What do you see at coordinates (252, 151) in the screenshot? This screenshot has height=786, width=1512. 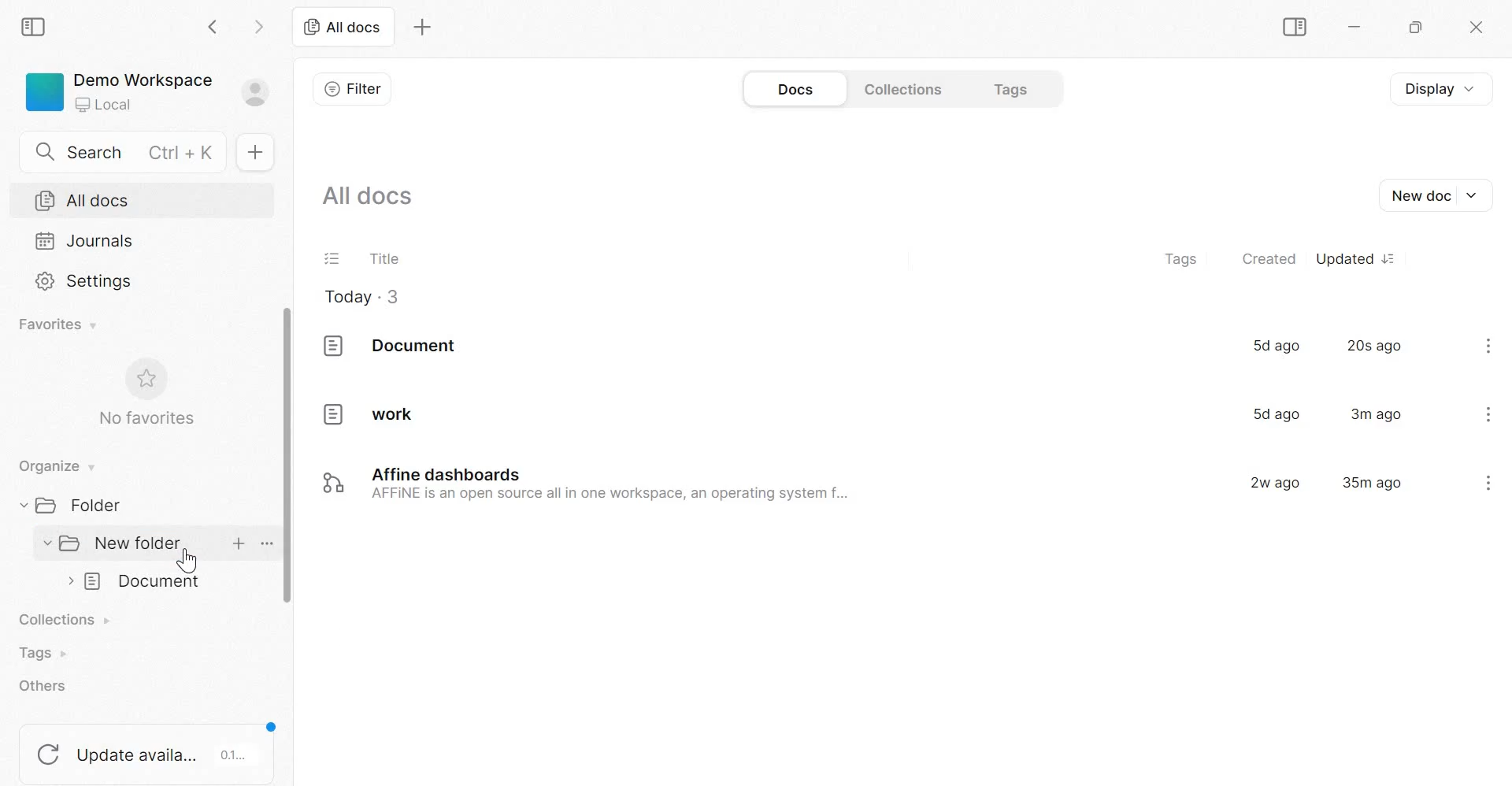 I see `New doc` at bounding box center [252, 151].